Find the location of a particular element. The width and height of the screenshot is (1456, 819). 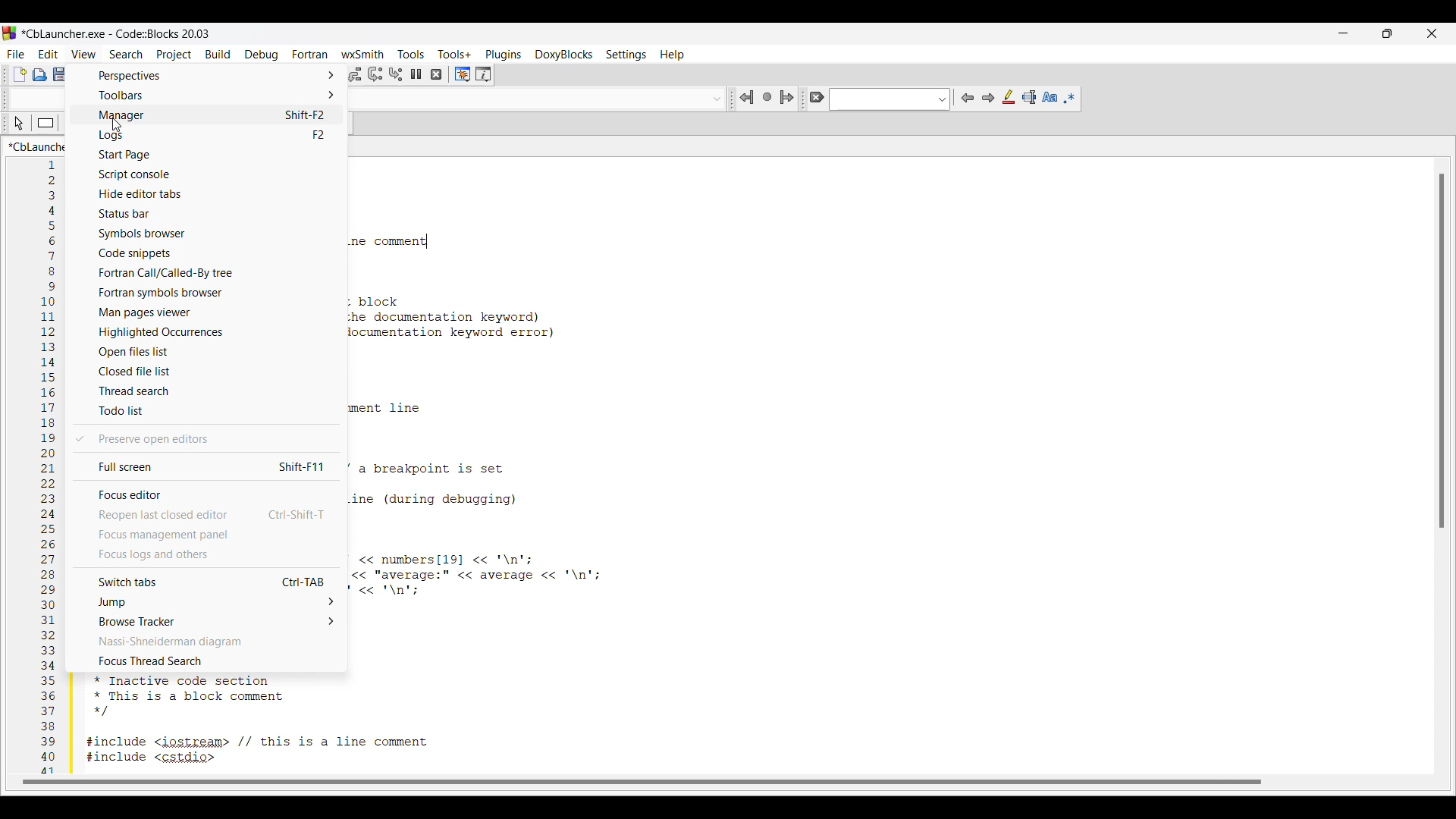

Software logo is located at coordinates (10, 33).